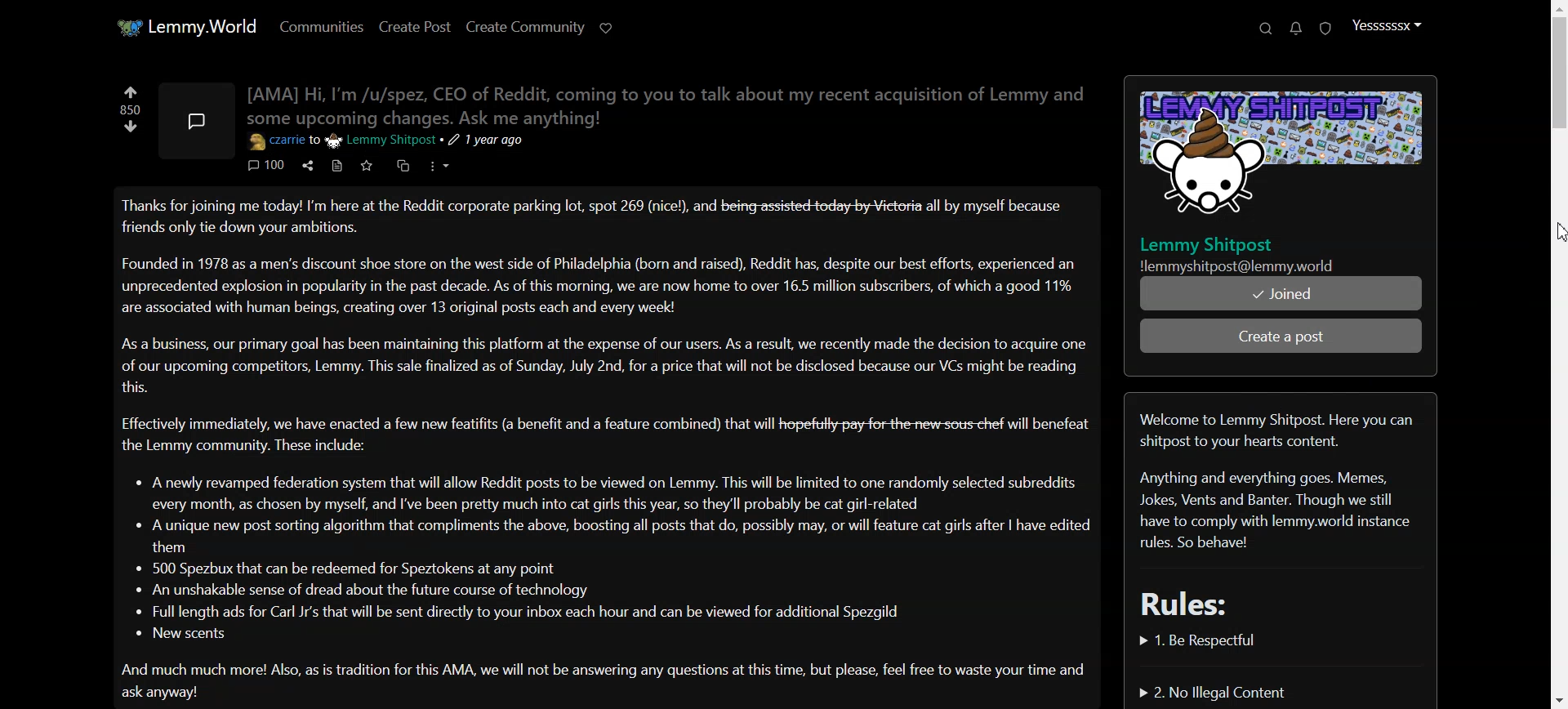  I want to click on Communities, so click(321, 26).